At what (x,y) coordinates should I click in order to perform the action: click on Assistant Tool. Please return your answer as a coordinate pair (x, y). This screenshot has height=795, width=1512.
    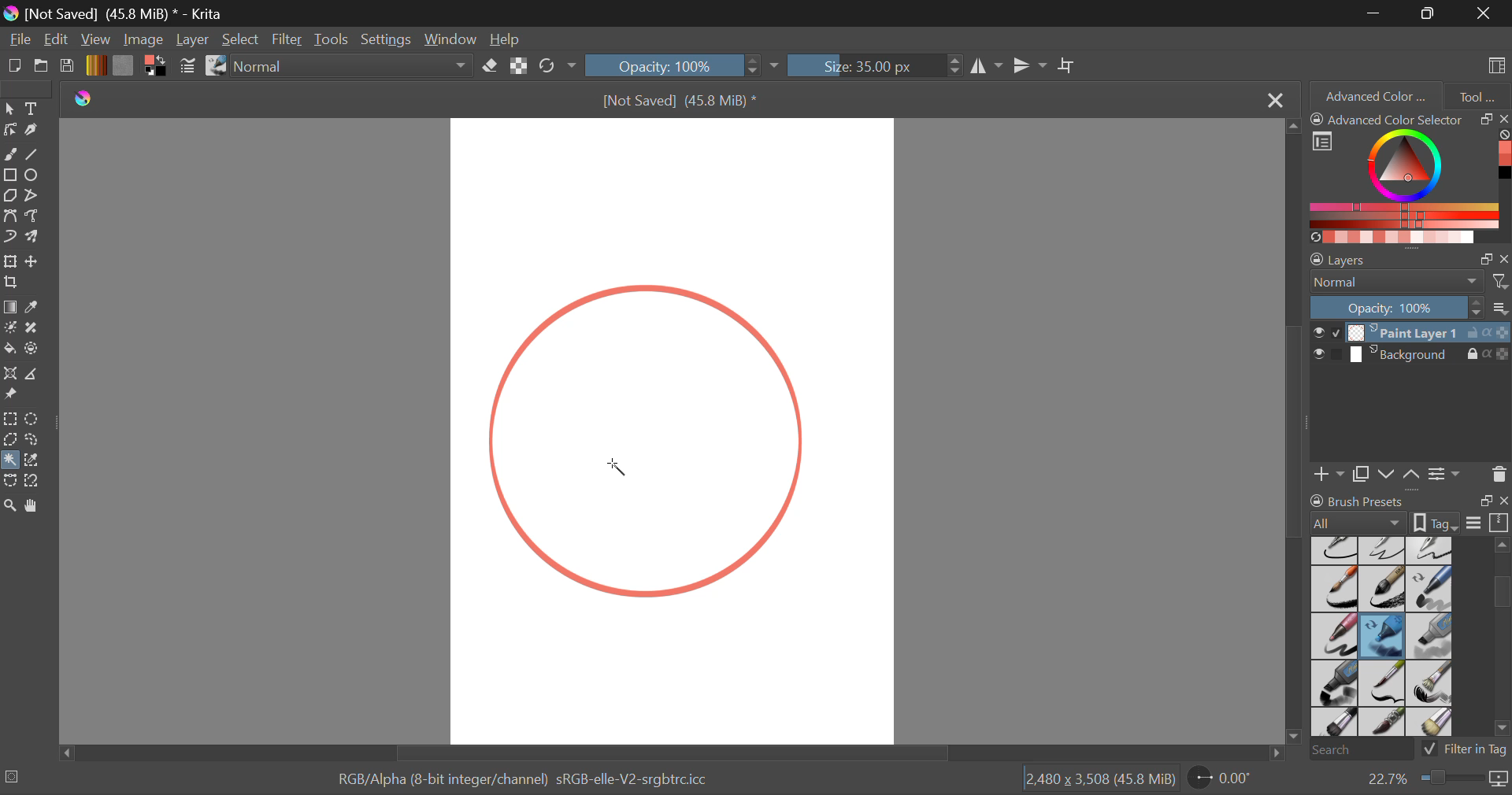
    Looking at the image, I should click on (11, 375).